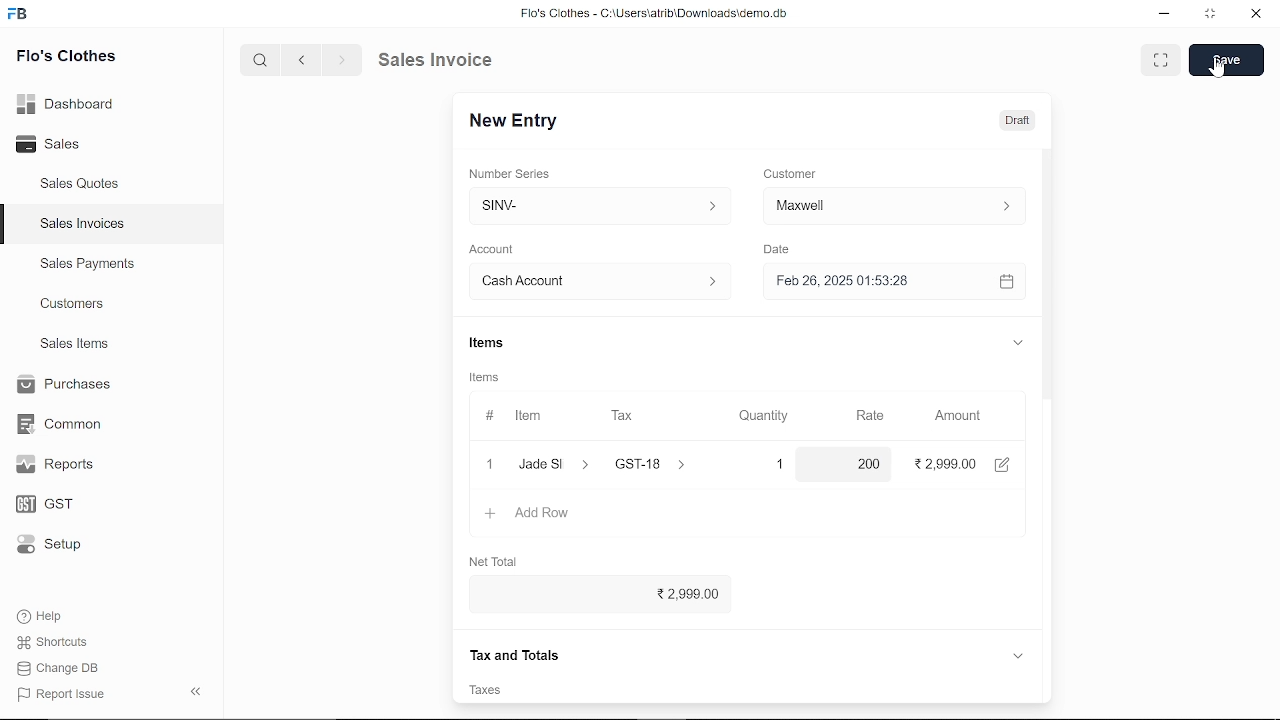 This screenshot has height=720, width=1280. Describe the element at coordinates (1166, 16) in the screenshot. I see `minimize` at that location.